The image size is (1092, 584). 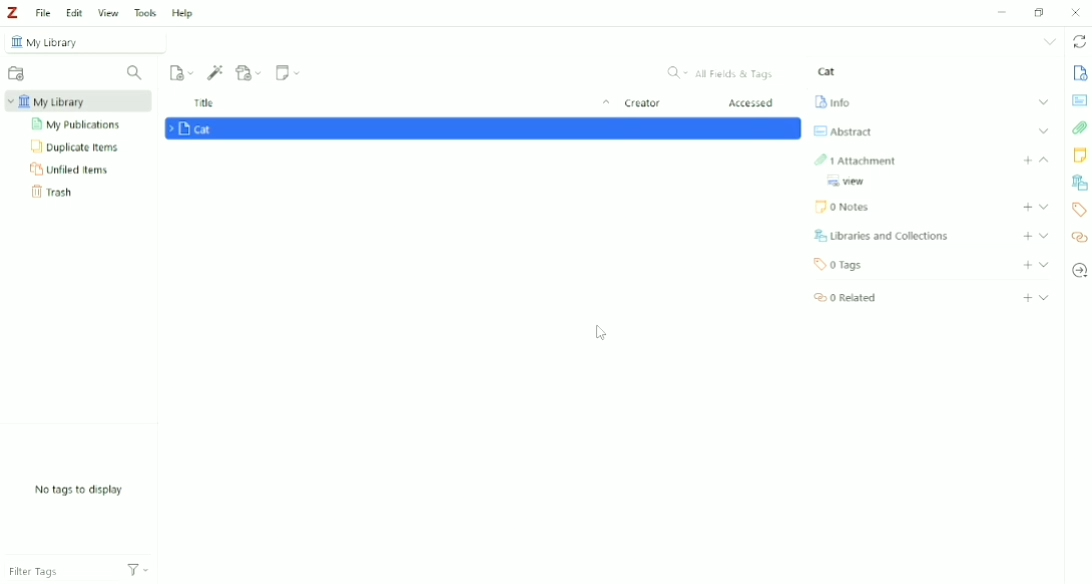 What do you see at coordinates (182, 14) in the screenshot?
I see `Help` at bounding box center [182, 14].